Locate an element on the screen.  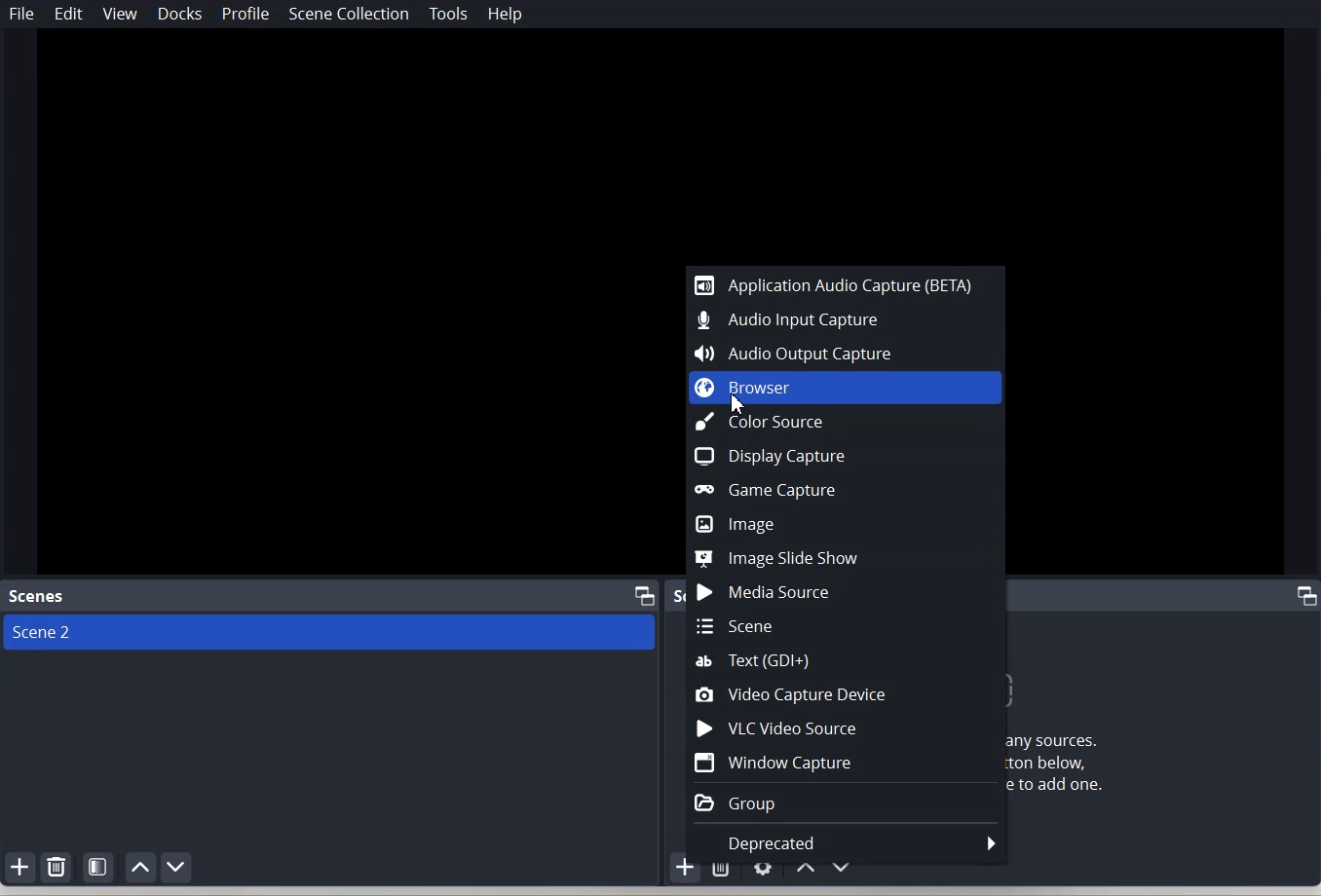
Window Capture is located at coordinates (846, 763).